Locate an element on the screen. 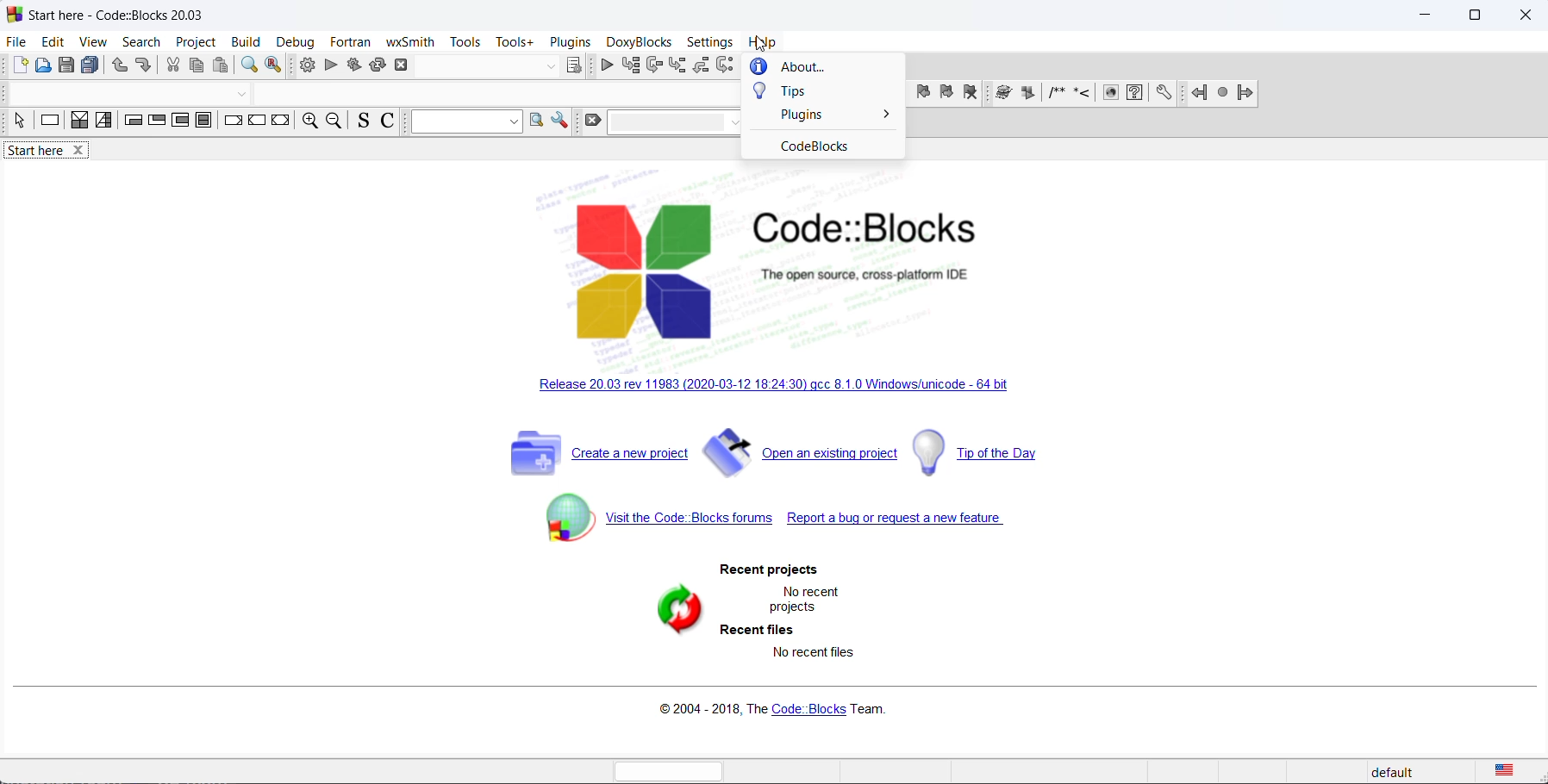 Image resolution: width=1548 pixels, height=784 pixels. code block forum is located at coordinates (648, 520).